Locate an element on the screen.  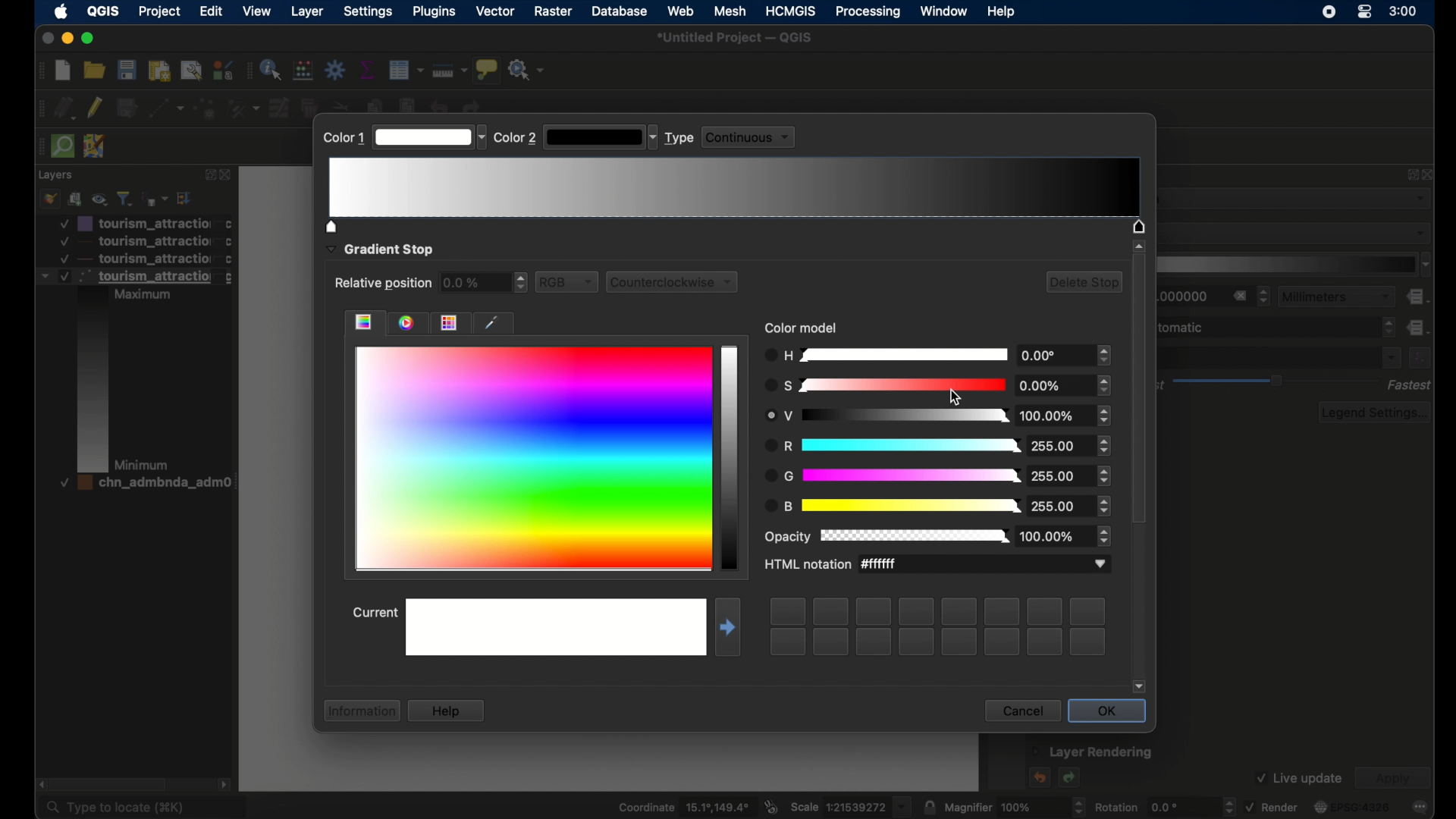
scroll right arrow is located at coordinates (225, 783).